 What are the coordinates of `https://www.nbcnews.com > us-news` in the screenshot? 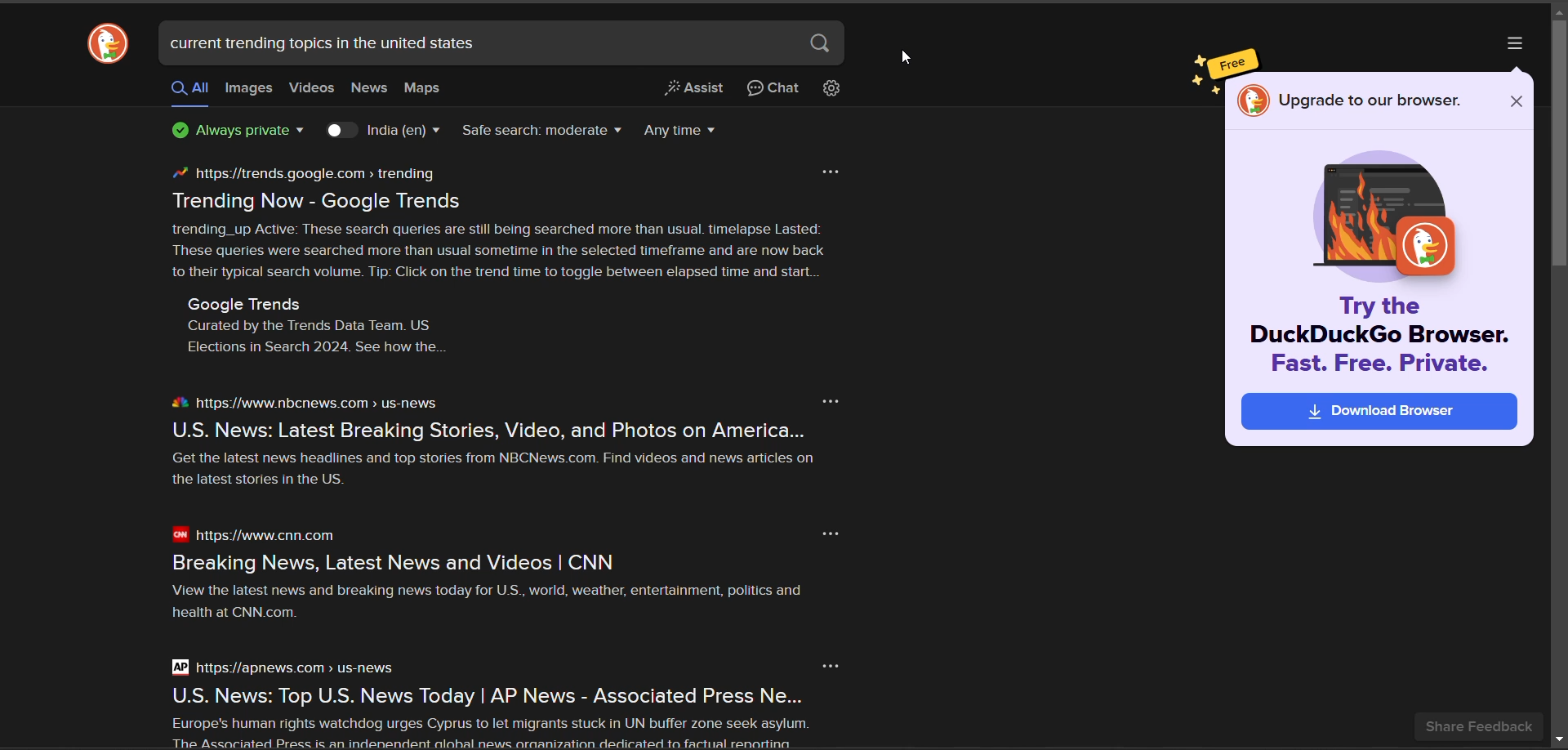 It's located at (317, 401).